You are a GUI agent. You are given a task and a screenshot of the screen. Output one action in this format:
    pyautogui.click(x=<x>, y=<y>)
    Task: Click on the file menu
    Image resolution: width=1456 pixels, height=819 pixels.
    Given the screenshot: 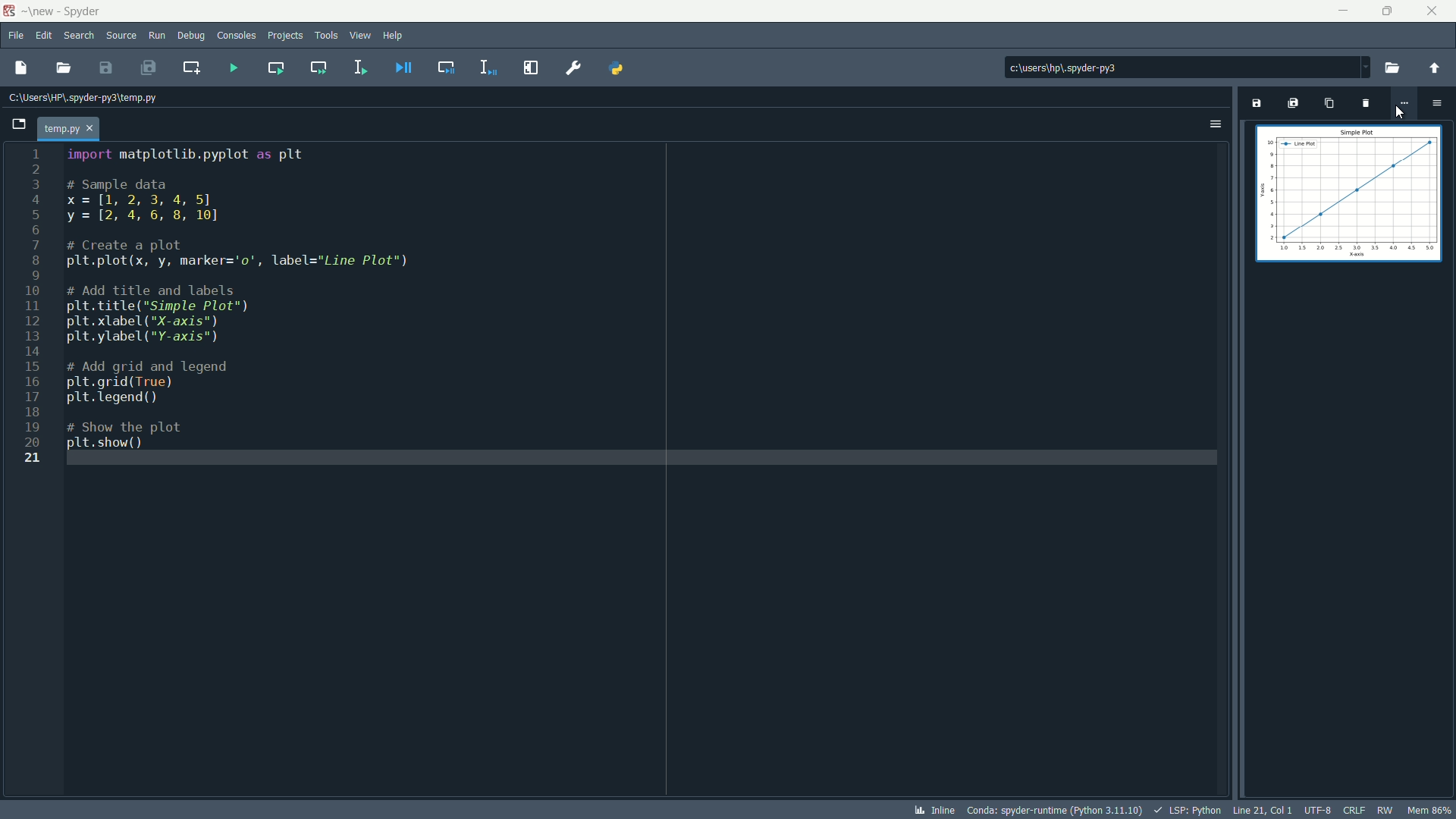 What is the action you would take?
    pyautogui.click(x=16, y=35)
    